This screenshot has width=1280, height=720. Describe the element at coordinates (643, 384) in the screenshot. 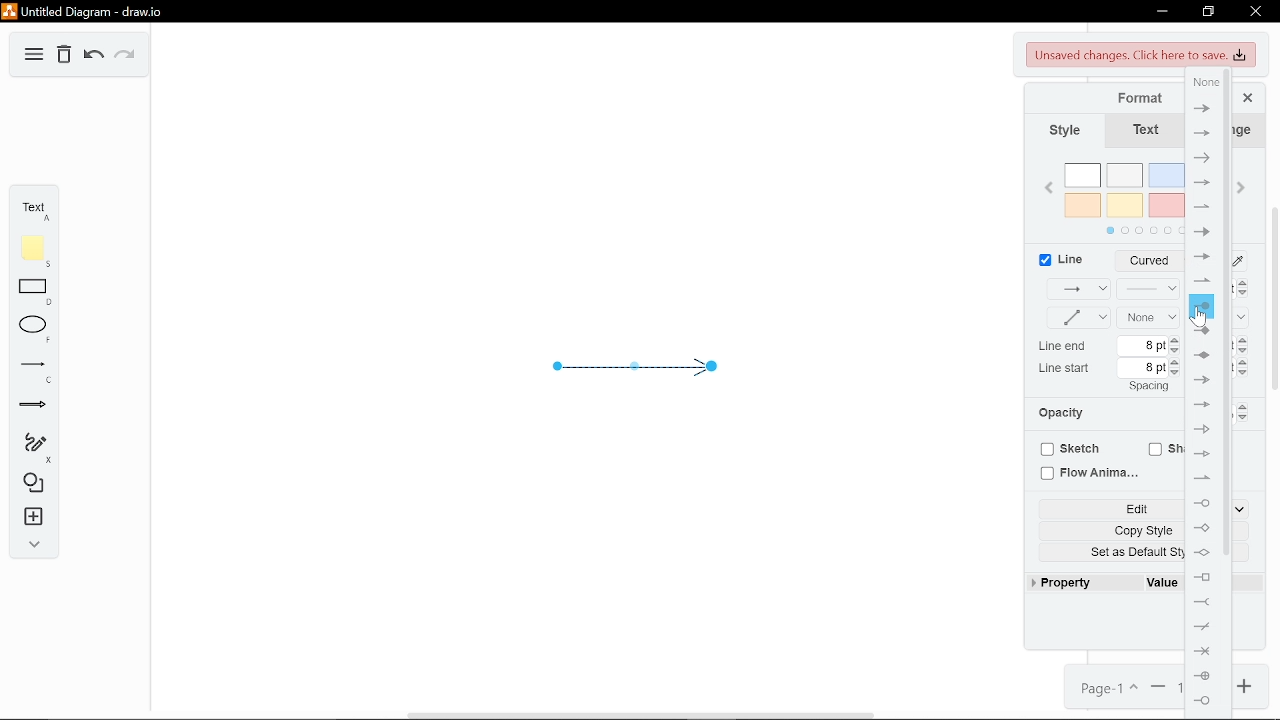

I see `Current arrow diagram` at that location.